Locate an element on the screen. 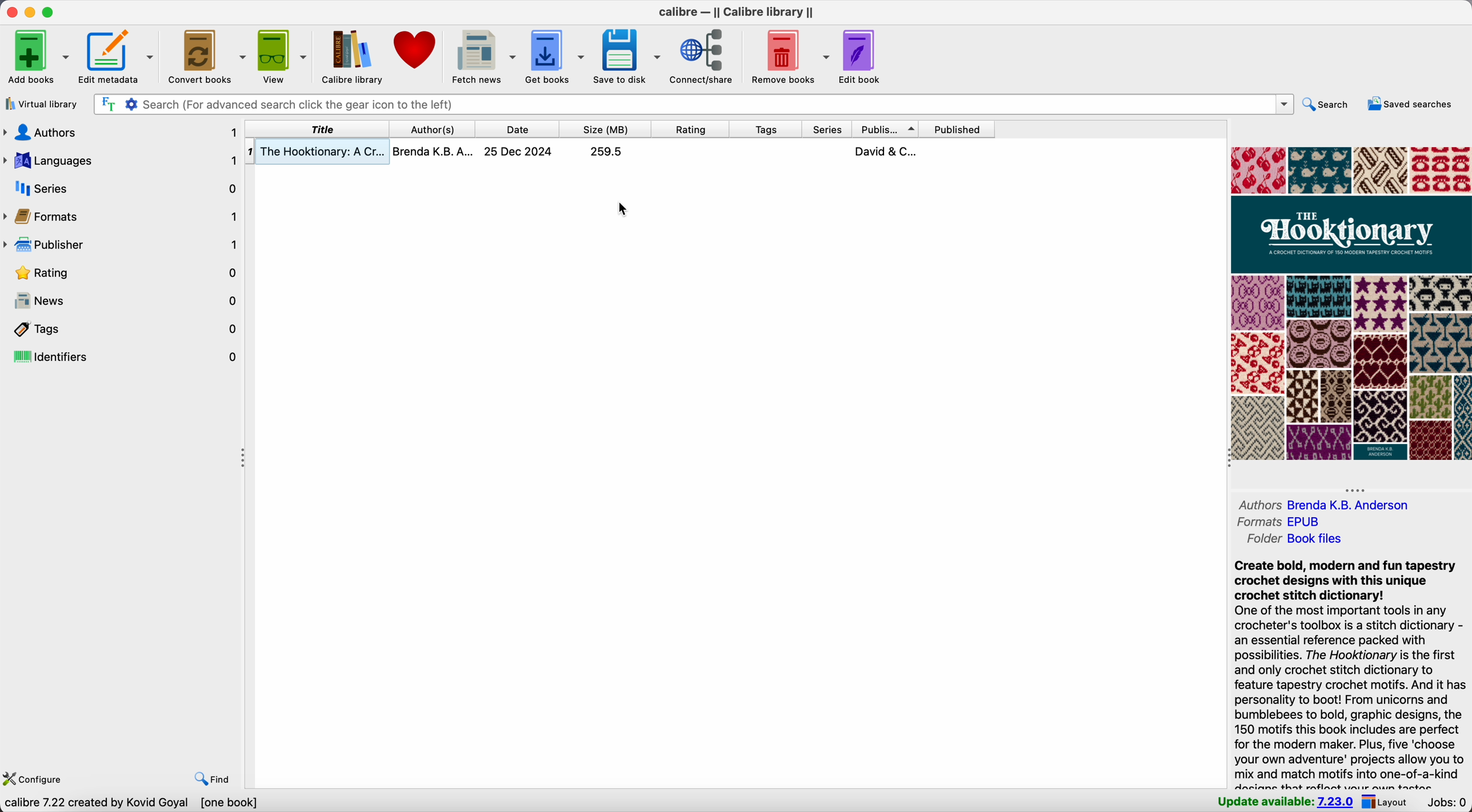 The height and width of the screenshot is (812, 1472). identifiers is located at coordinates (125, 357).